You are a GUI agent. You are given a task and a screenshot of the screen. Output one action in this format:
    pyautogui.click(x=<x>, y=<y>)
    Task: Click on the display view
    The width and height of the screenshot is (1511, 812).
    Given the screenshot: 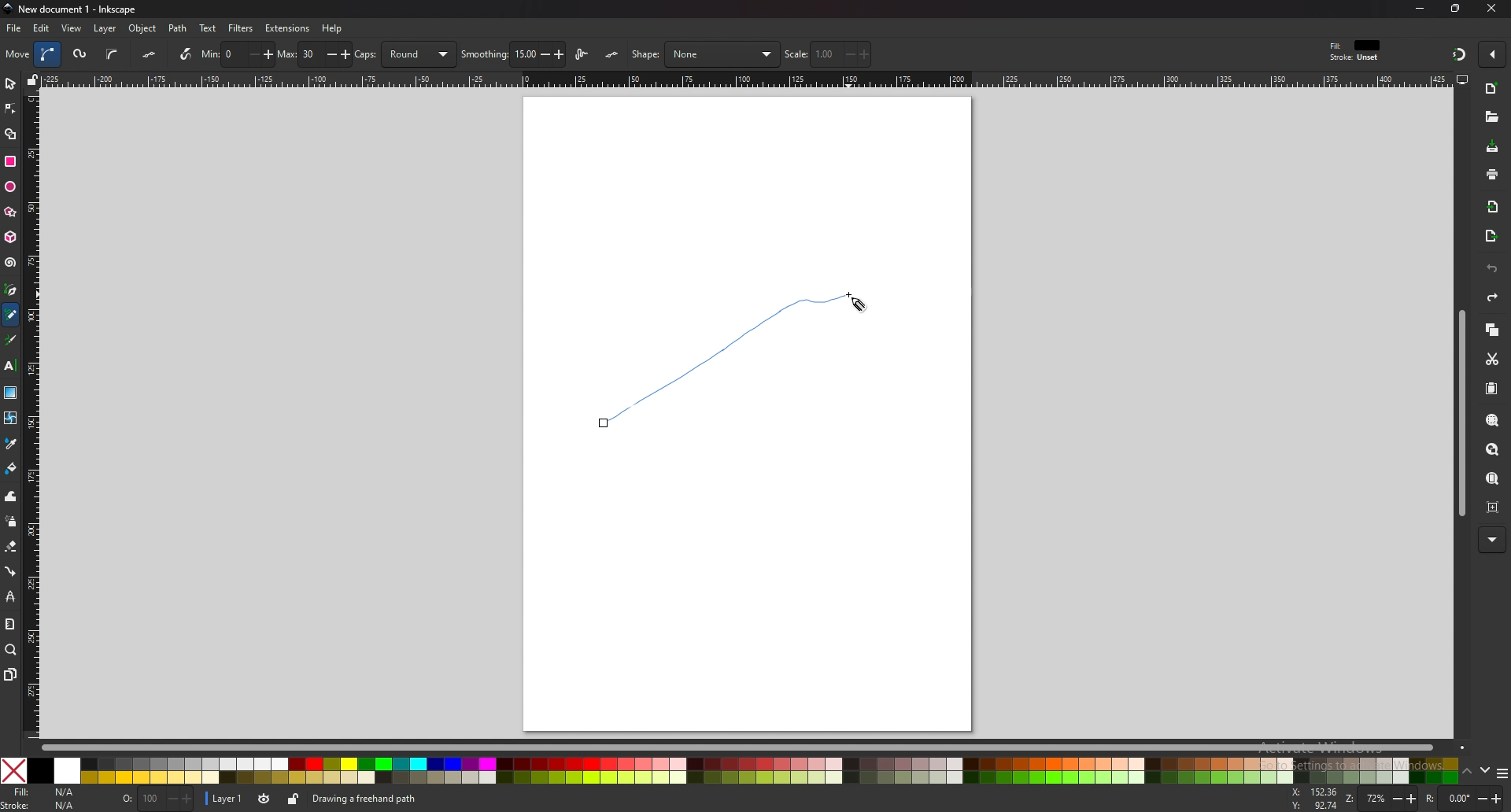 What is the action you would take?
    pyautogui.click(x=1462, y=79)
    